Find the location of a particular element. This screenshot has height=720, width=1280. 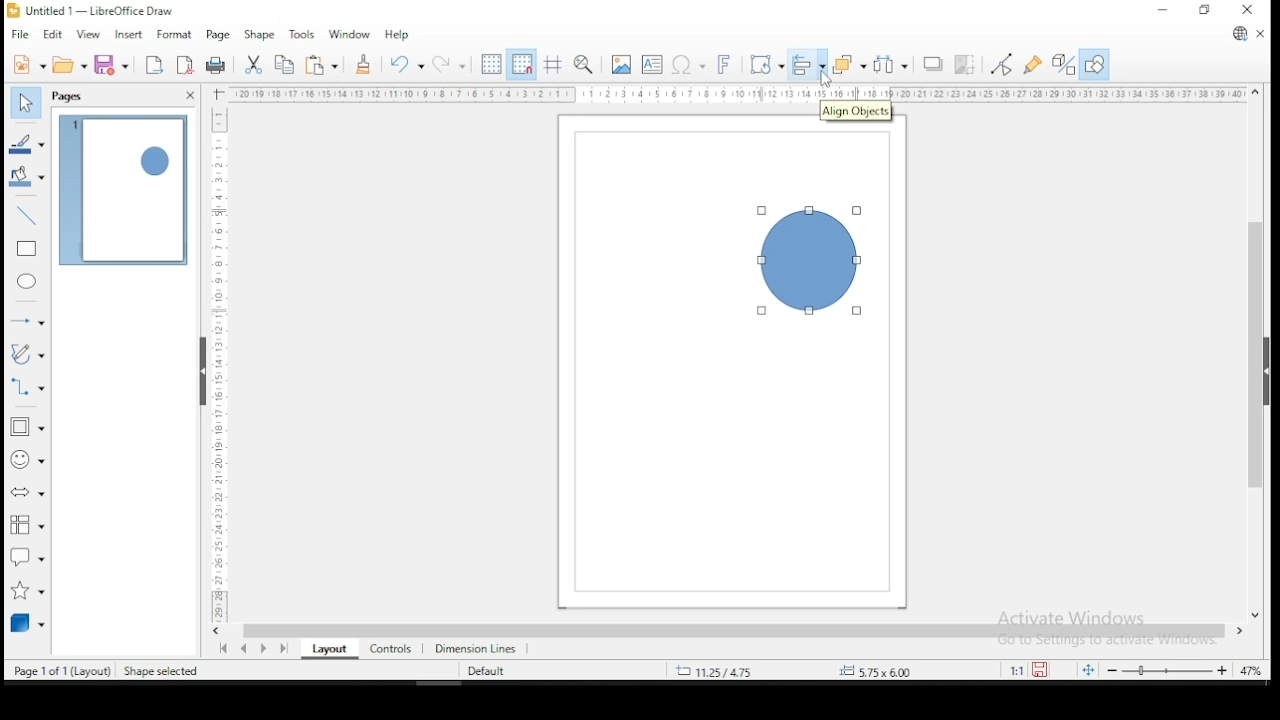

shadow is located at coordinates (933, 65).